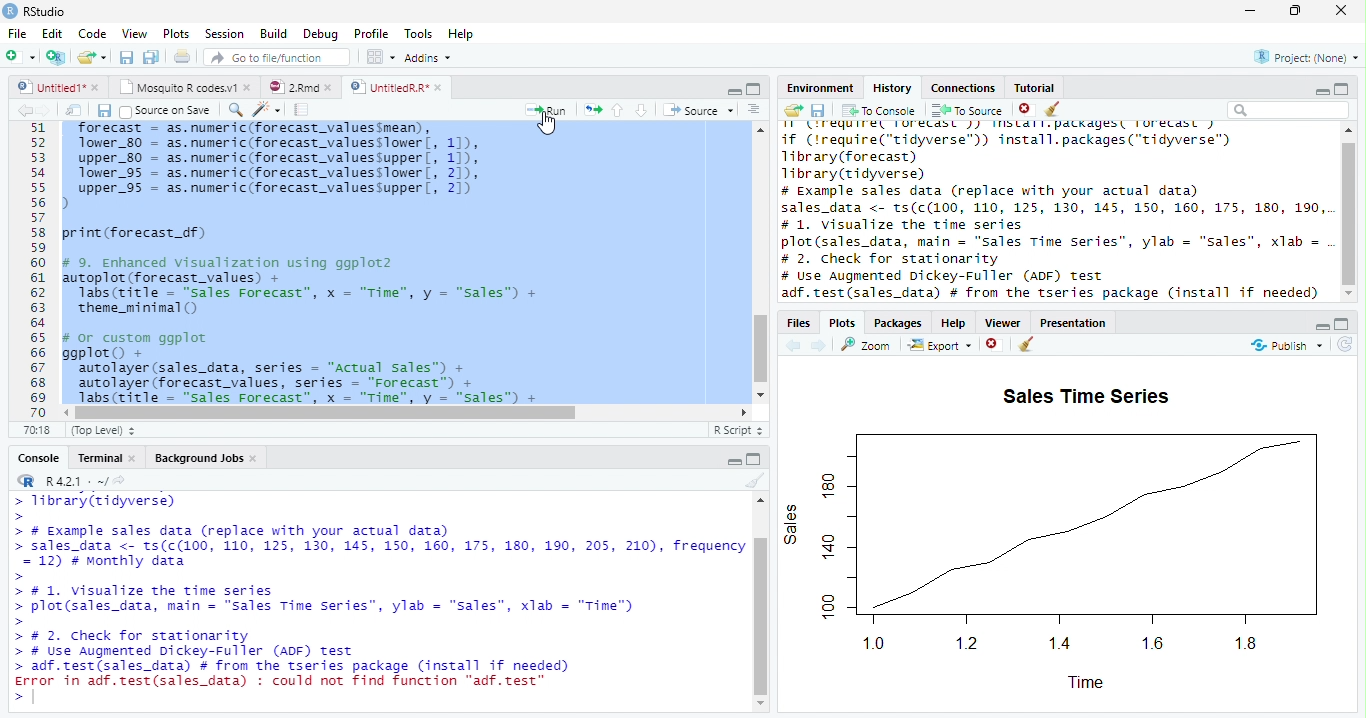 Image resolution: width=1366 pixels, height=718 pixels. Describe the element at coordinates (1345, 346) in the screenshot. I see `Refresh` at that location.